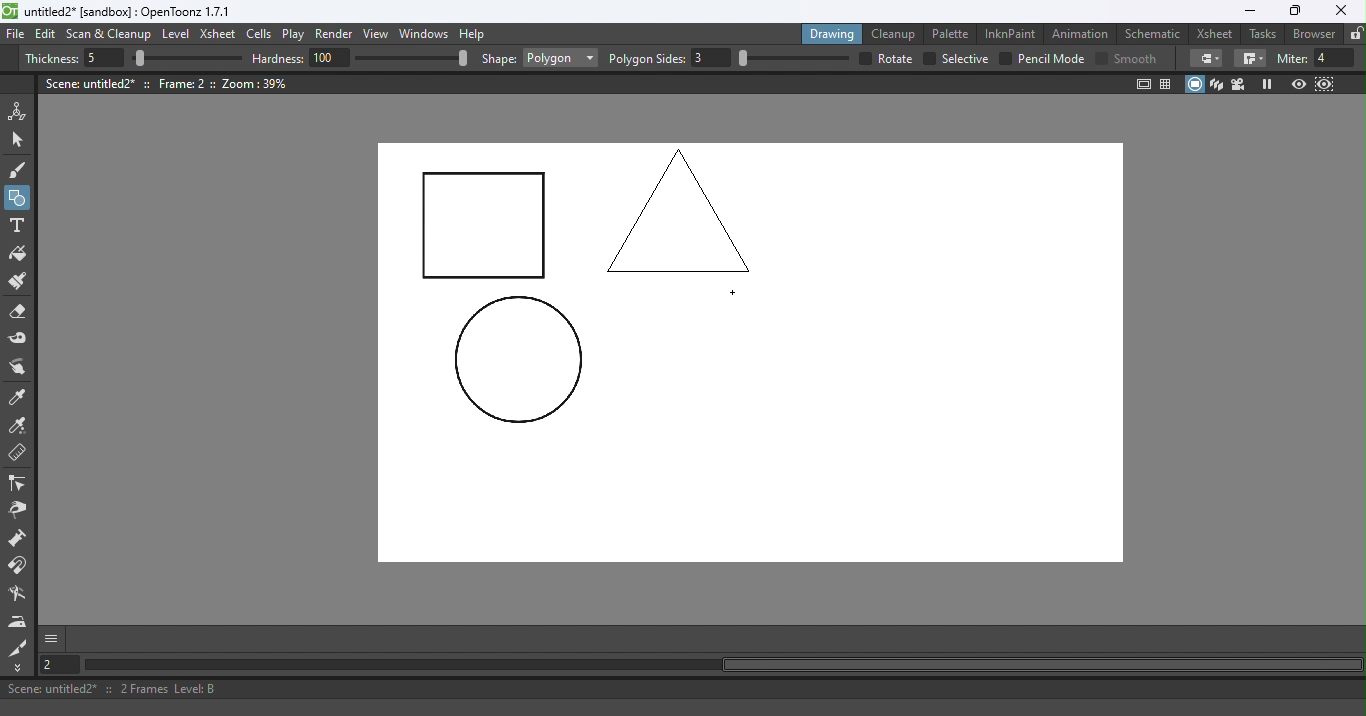 The width and height of the screenshot is (1366, 716). Describe the element at coordinates (262, 35) in the screenshot. I see `Cells` at that location.